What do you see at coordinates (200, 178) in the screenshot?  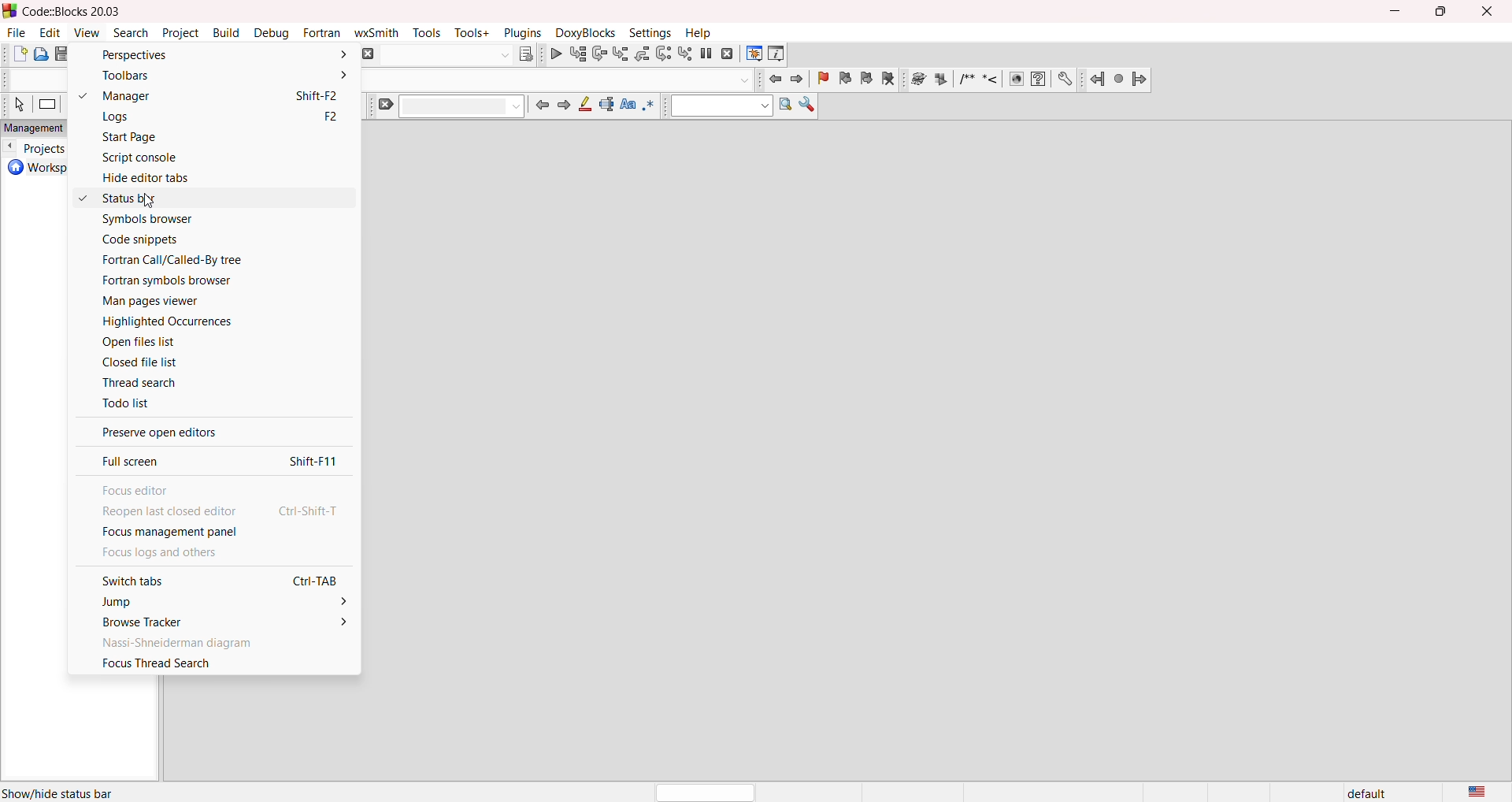 I see `hide editor tabs` at bounding box center [200, 178].